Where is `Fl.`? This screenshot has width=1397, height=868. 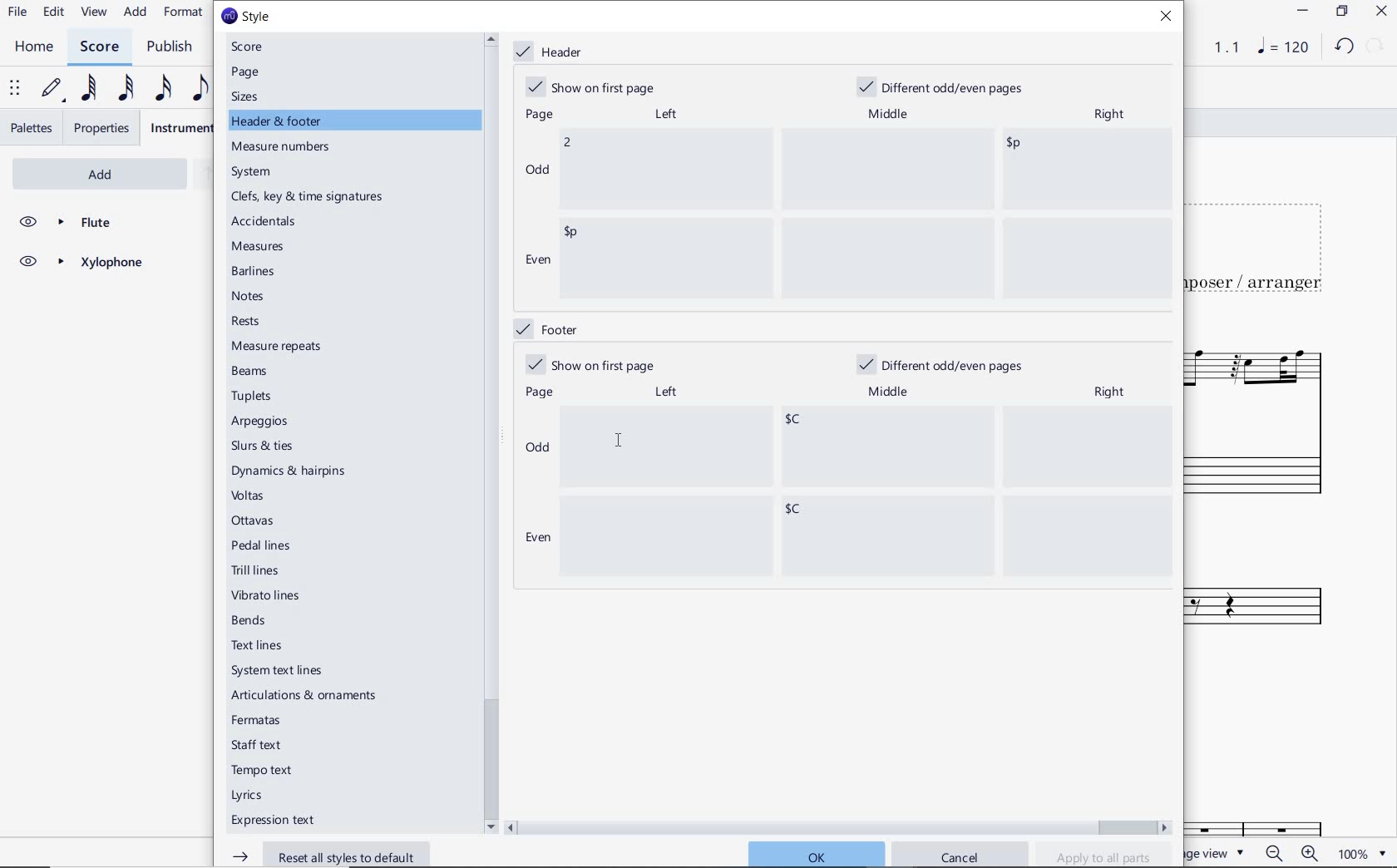
Fl. is located at coordinates (1281, 806).